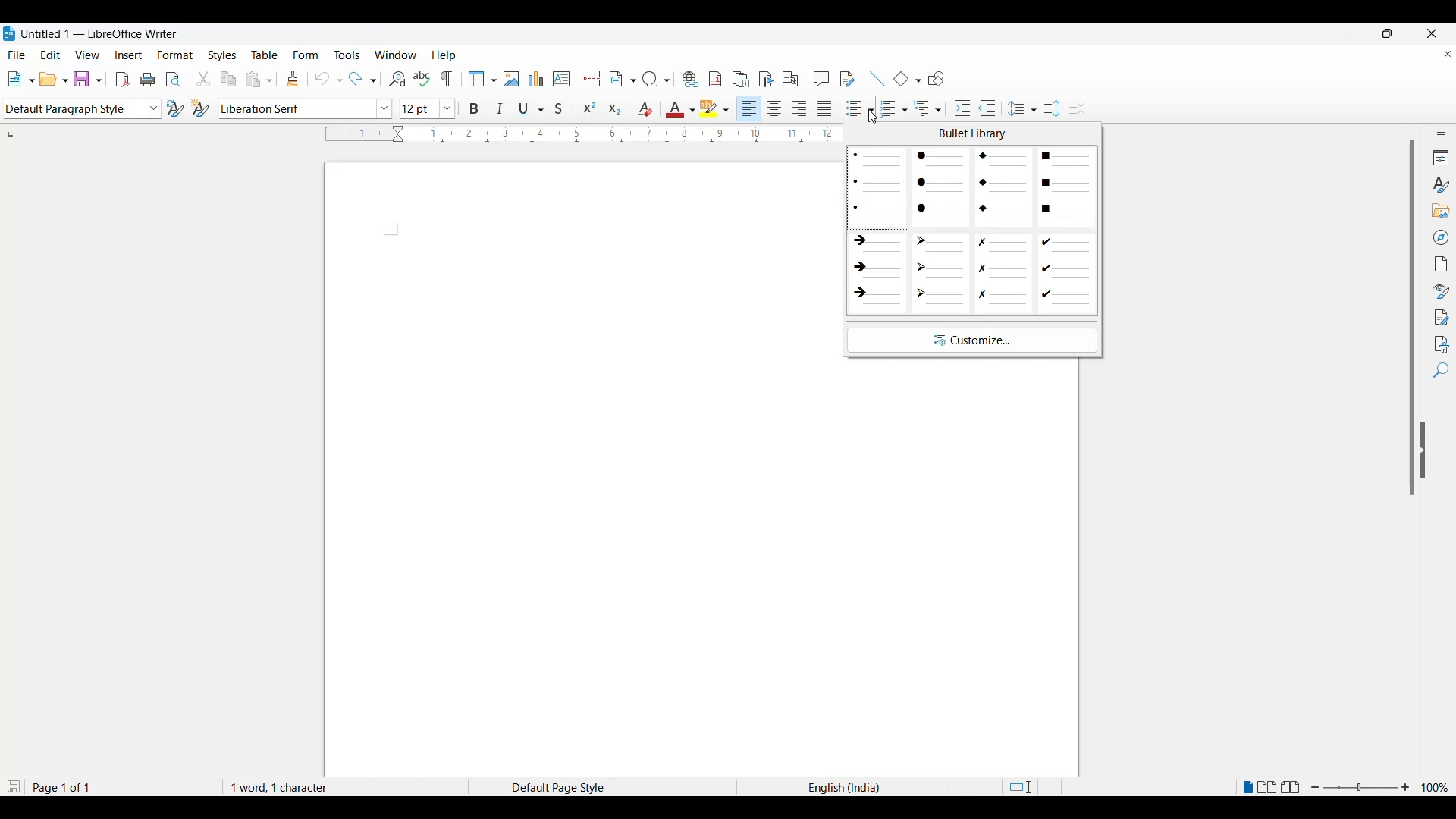 This screenshot has width=1456, height=819. What do you see at coordinates (1003, 271) in the screenshot?
I see `Cross unordered bullets` at bounding box center [1003, 271].